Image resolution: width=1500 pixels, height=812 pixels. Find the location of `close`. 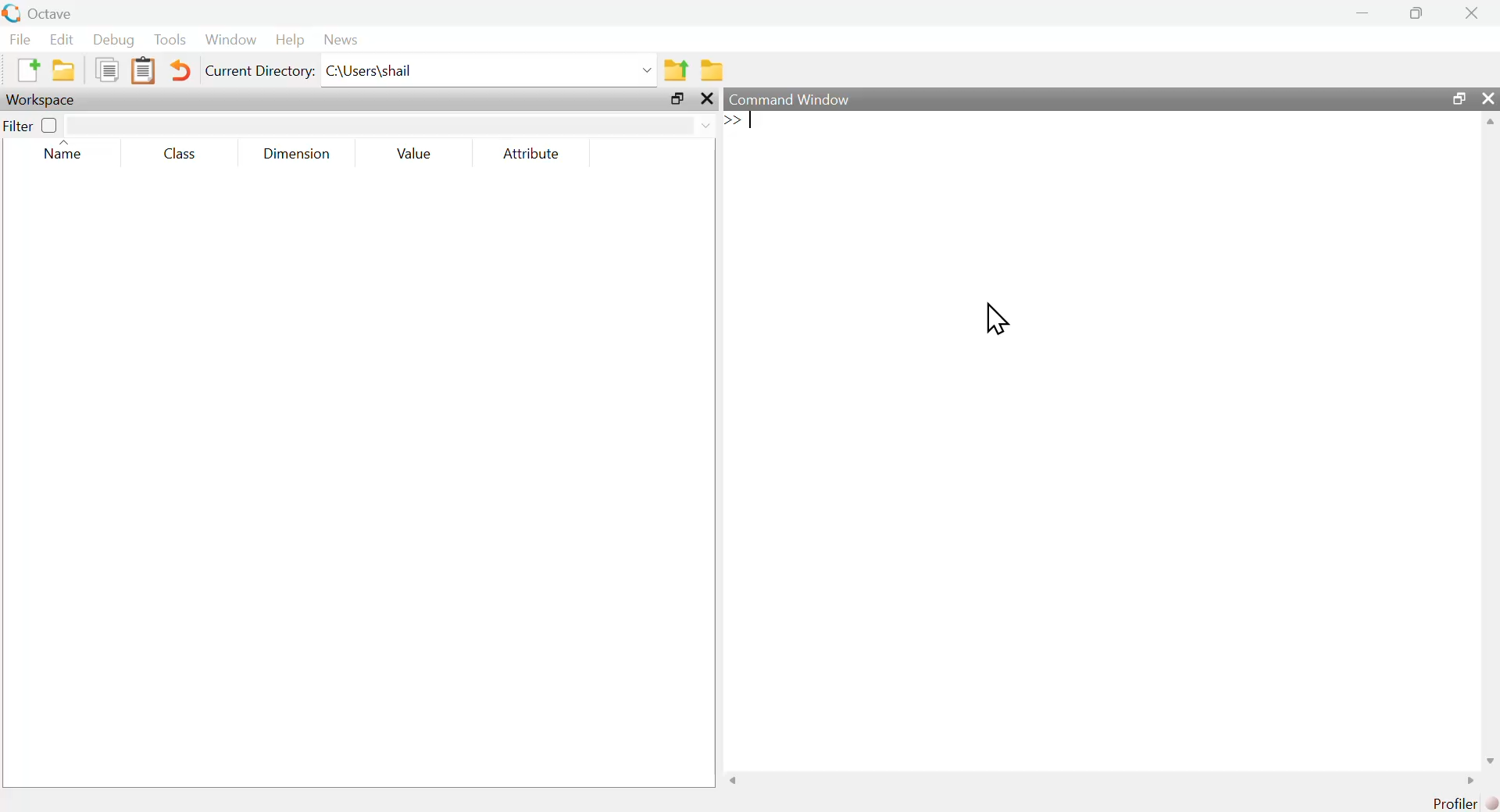

close is located at coordinates (1472, 13).